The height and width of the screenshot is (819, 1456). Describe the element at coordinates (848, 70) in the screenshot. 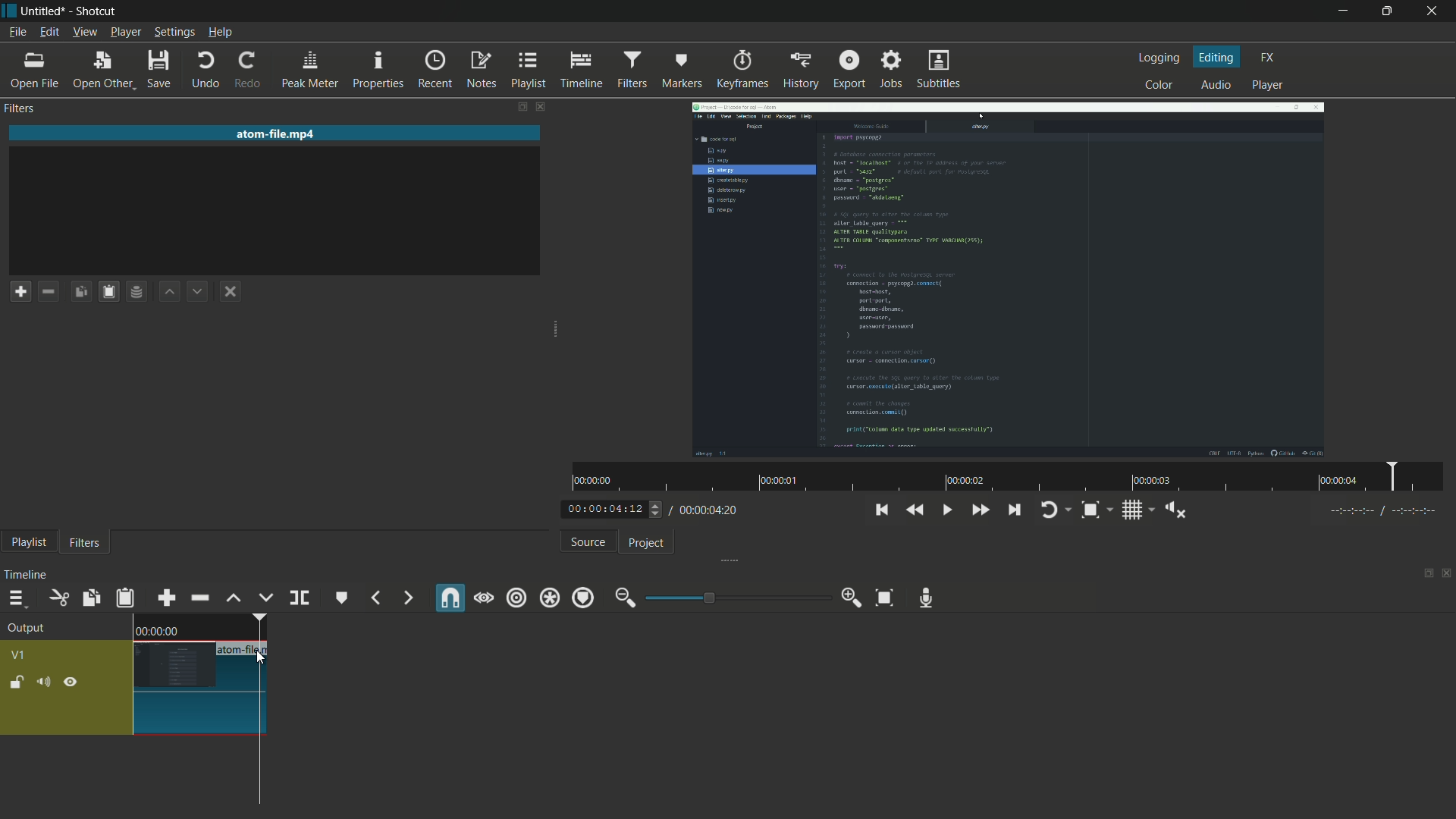

I see `export` at that location.